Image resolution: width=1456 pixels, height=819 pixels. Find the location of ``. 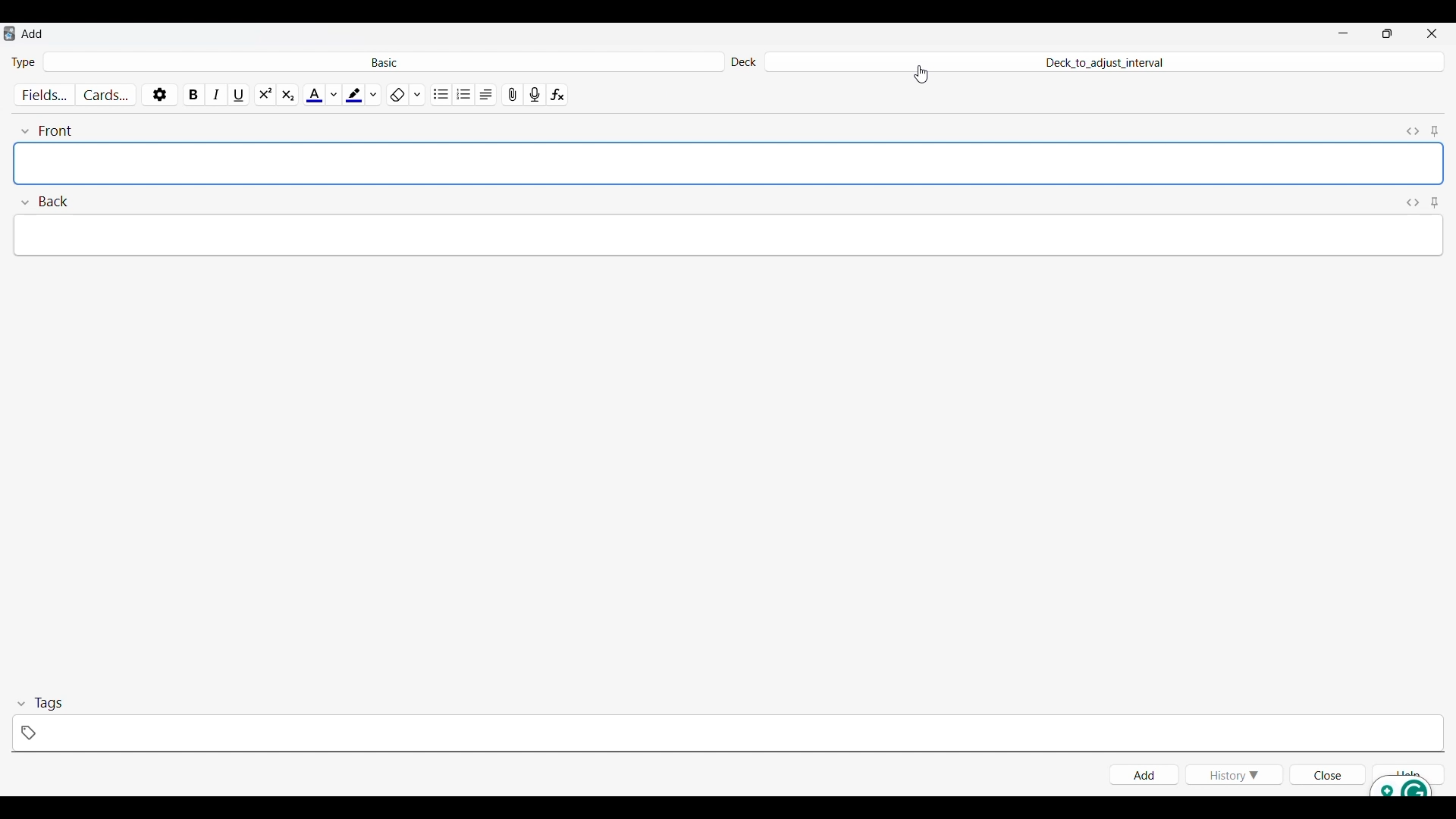

 is located at coordinates (1329, 775).